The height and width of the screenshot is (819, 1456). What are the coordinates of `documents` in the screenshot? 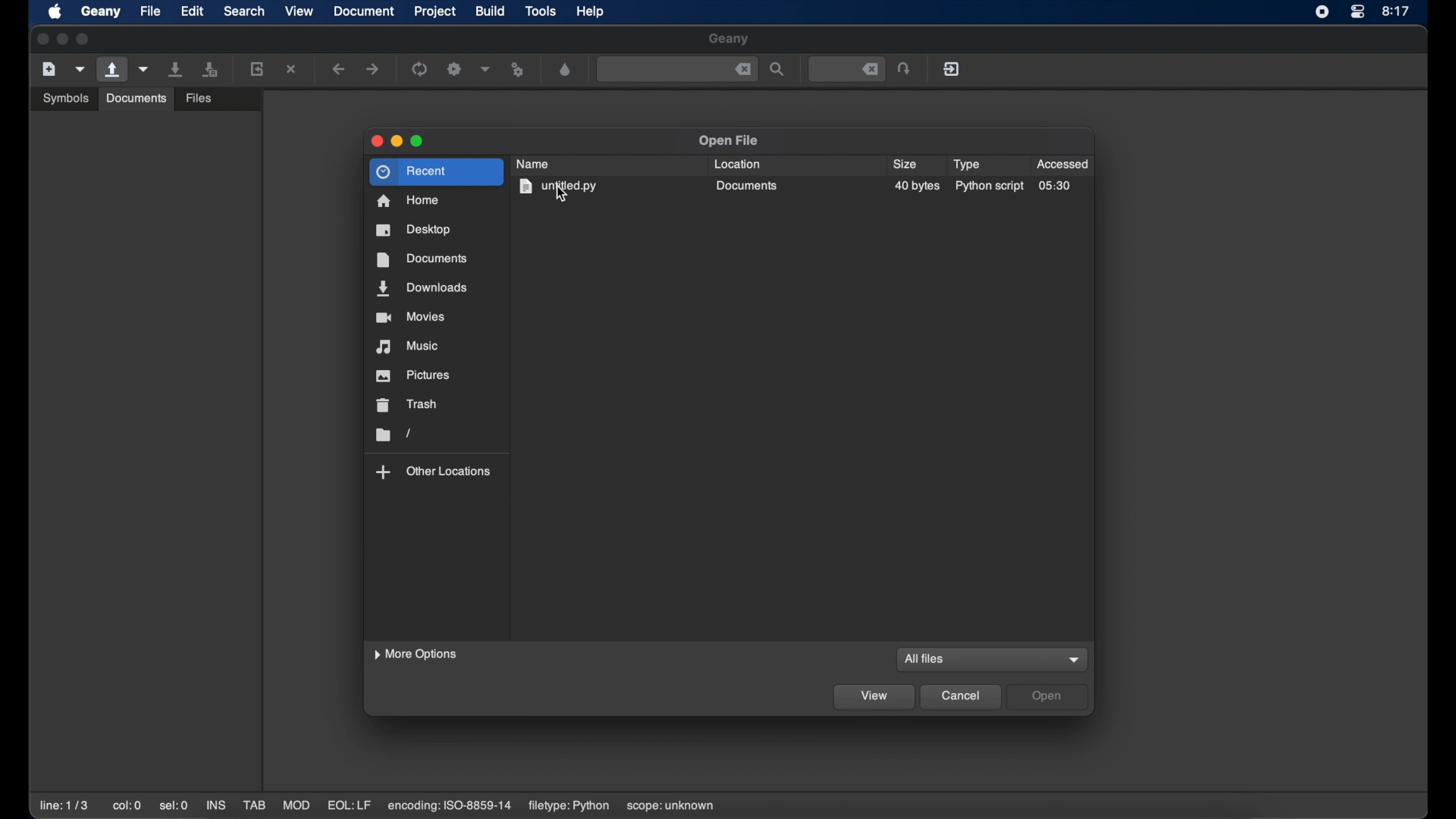 It's located at (136, 99).